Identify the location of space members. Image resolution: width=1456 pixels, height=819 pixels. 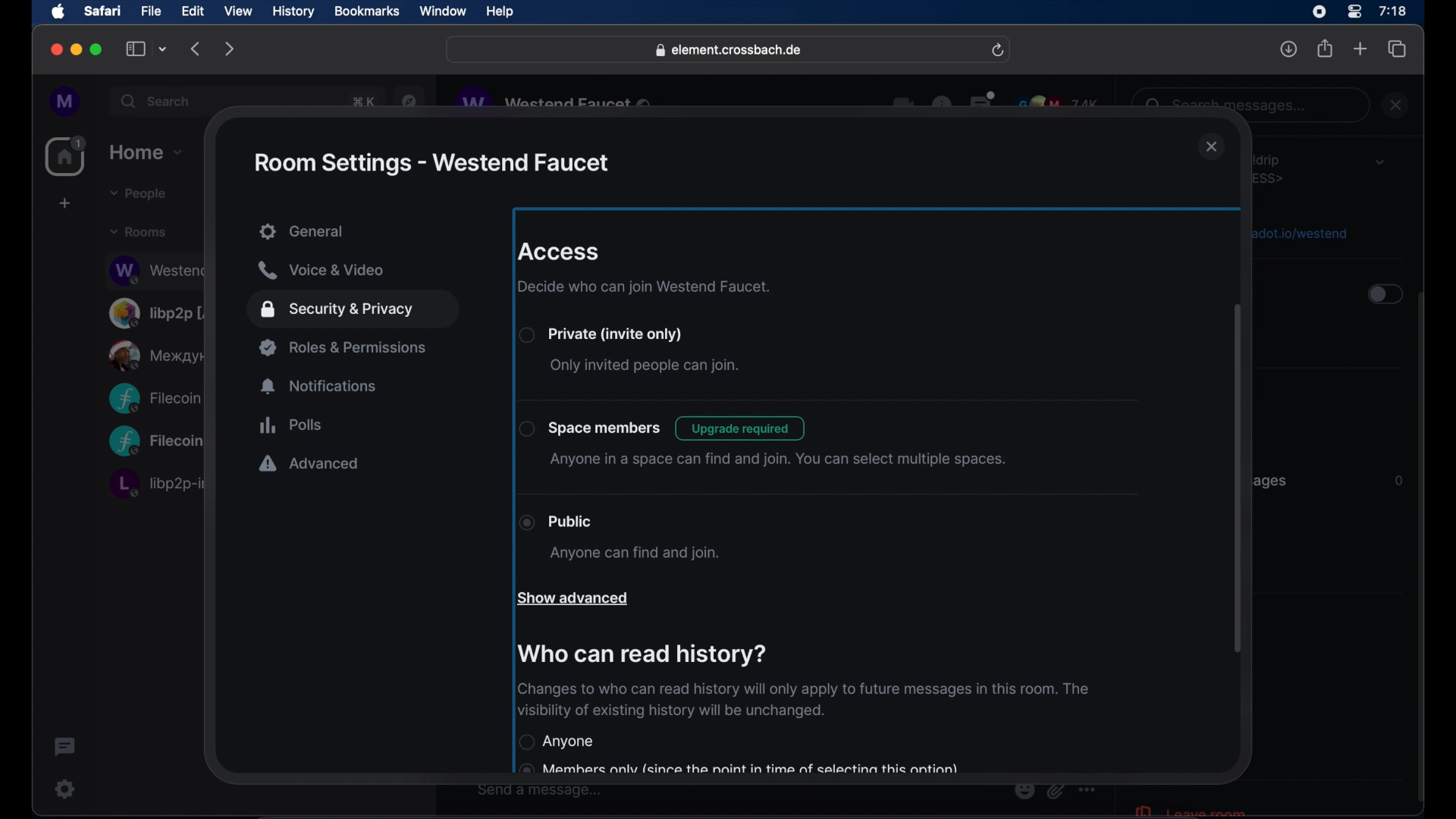
(765, 441).